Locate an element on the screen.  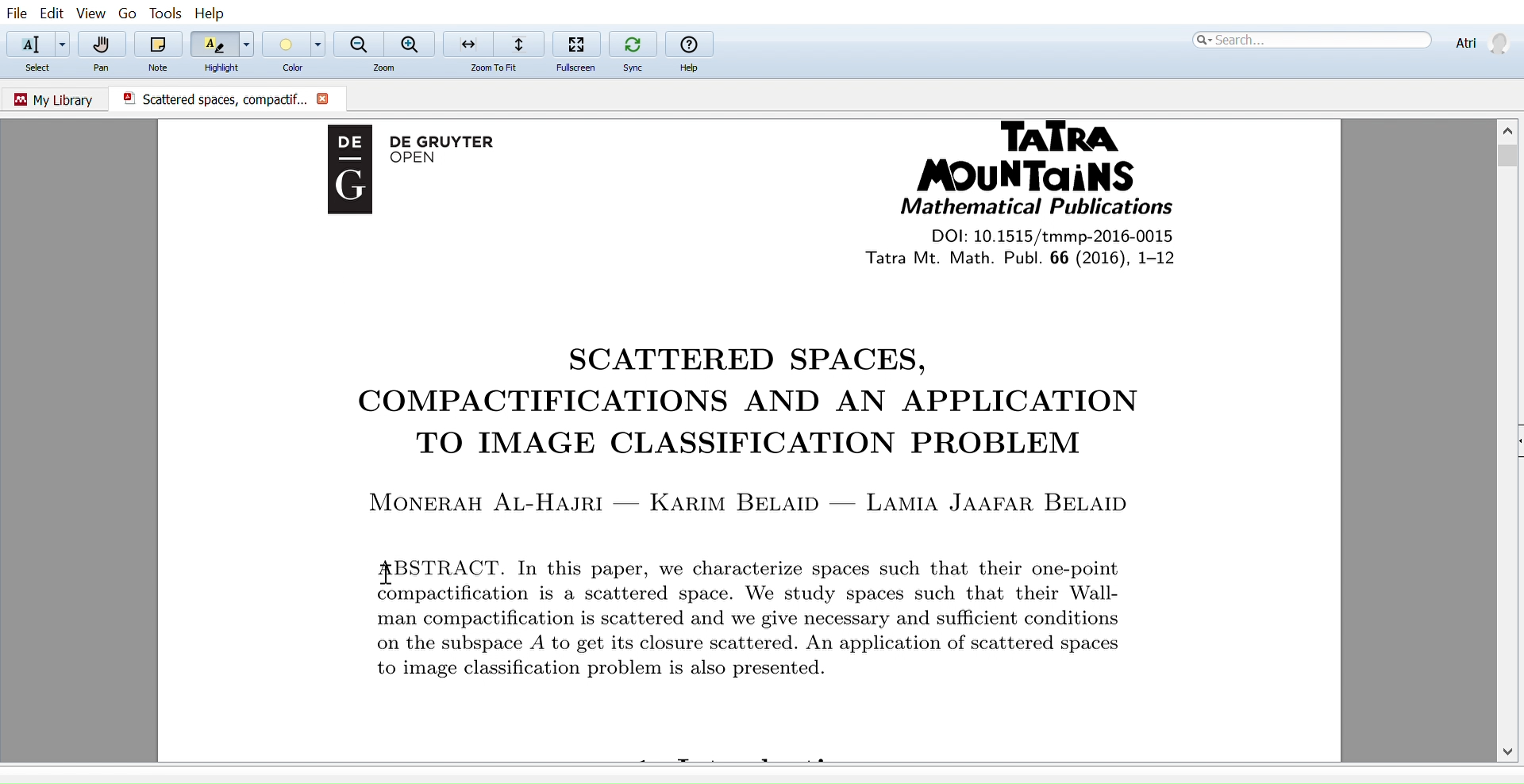
File is located at coordinates (17, 13).